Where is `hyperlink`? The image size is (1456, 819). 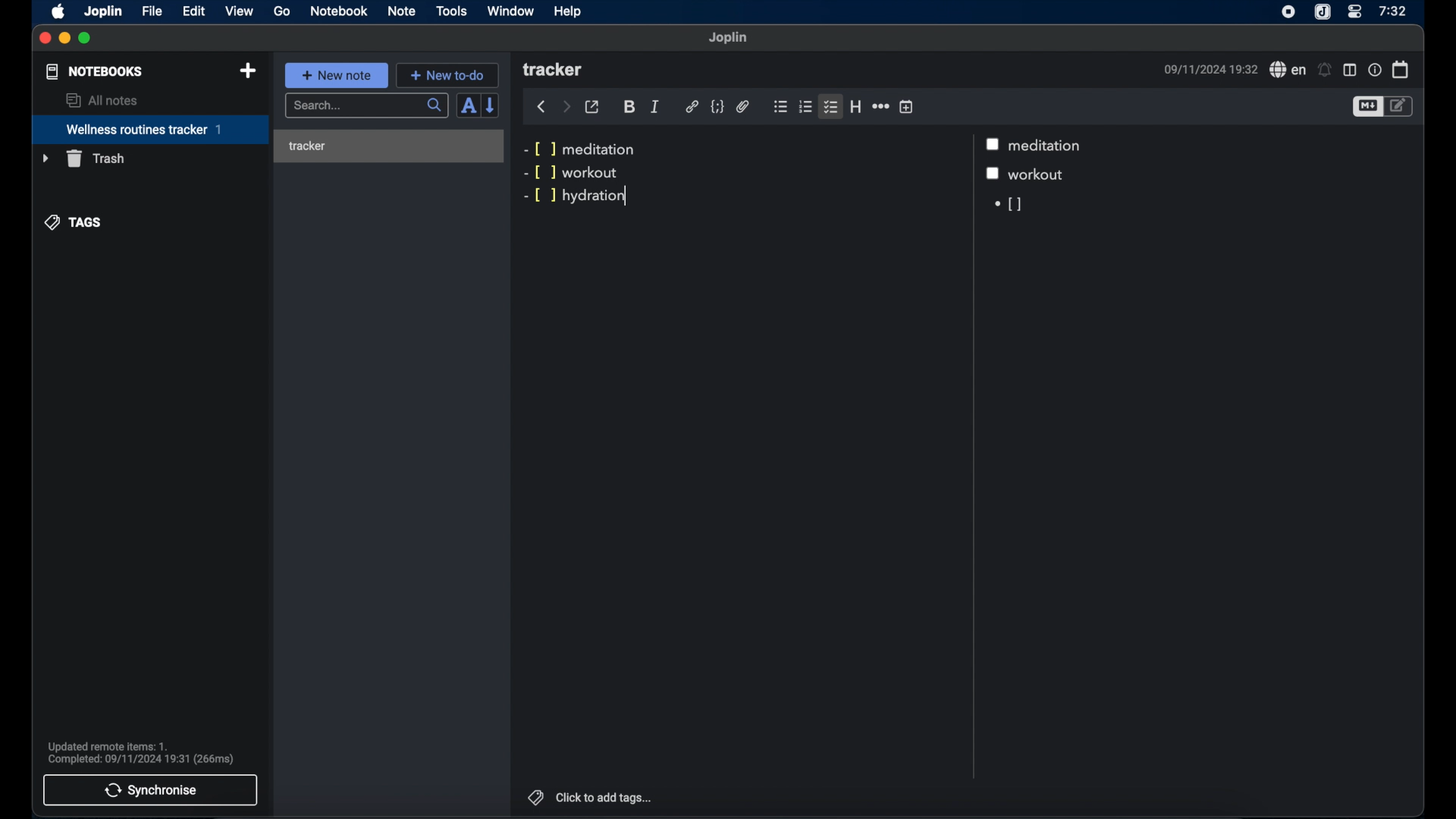
hyperlink is located at coordinates (692, 107).